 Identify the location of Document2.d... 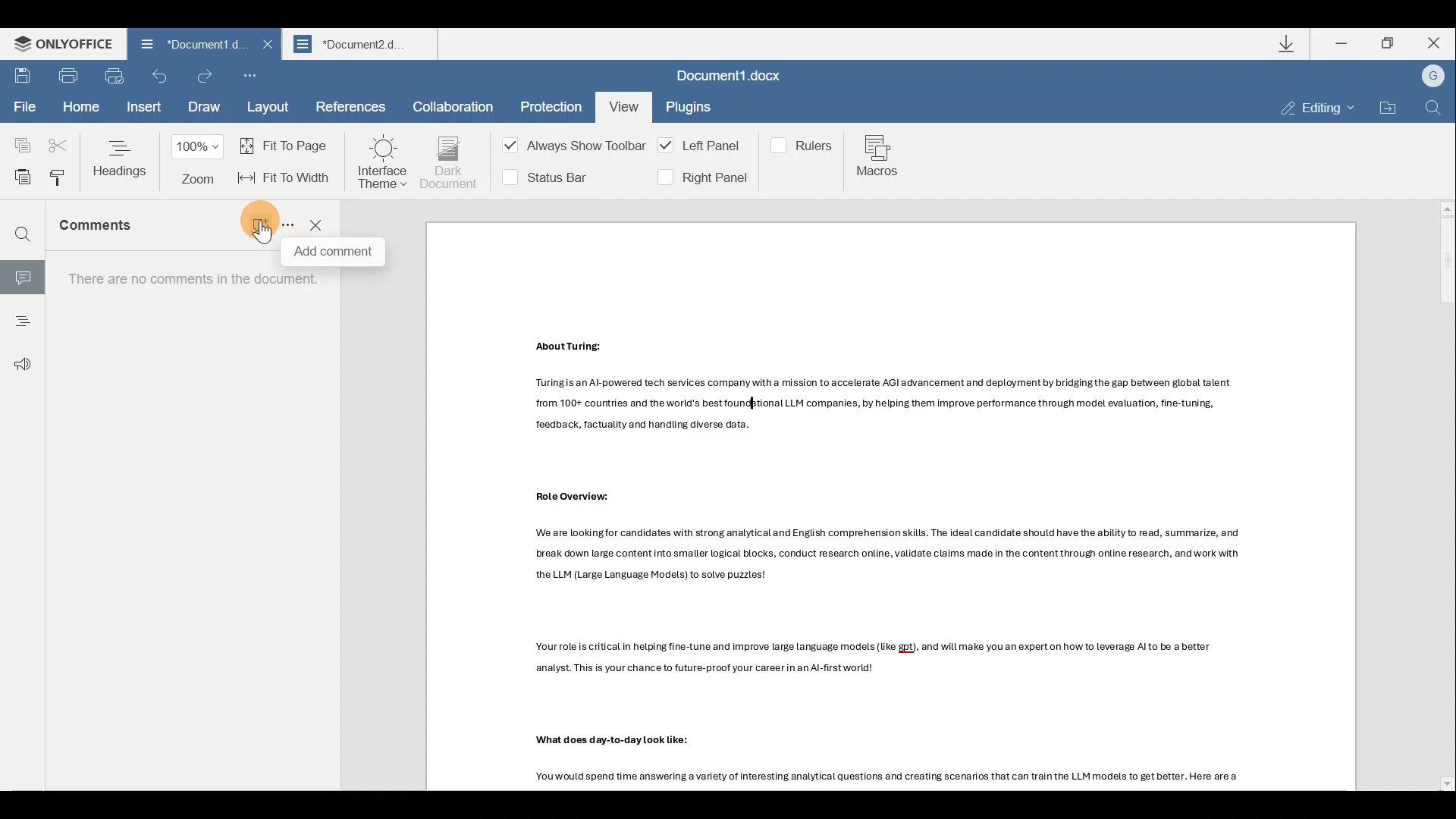
(364, 46).